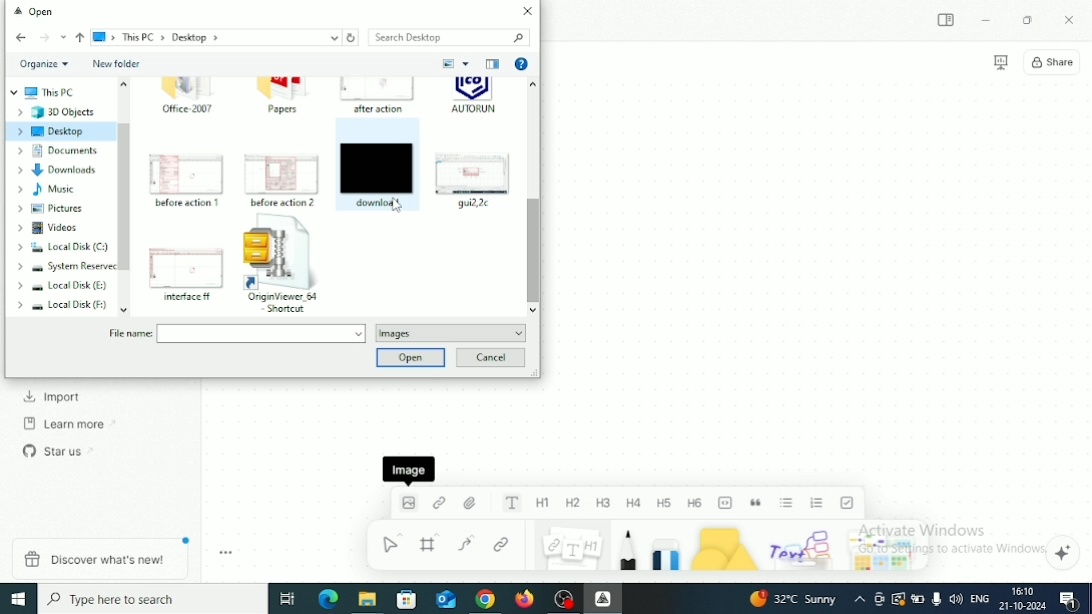  What do you see at coordinates (53, 397) in the screenshot?
I see `Import` at bounding box center [53, 397].